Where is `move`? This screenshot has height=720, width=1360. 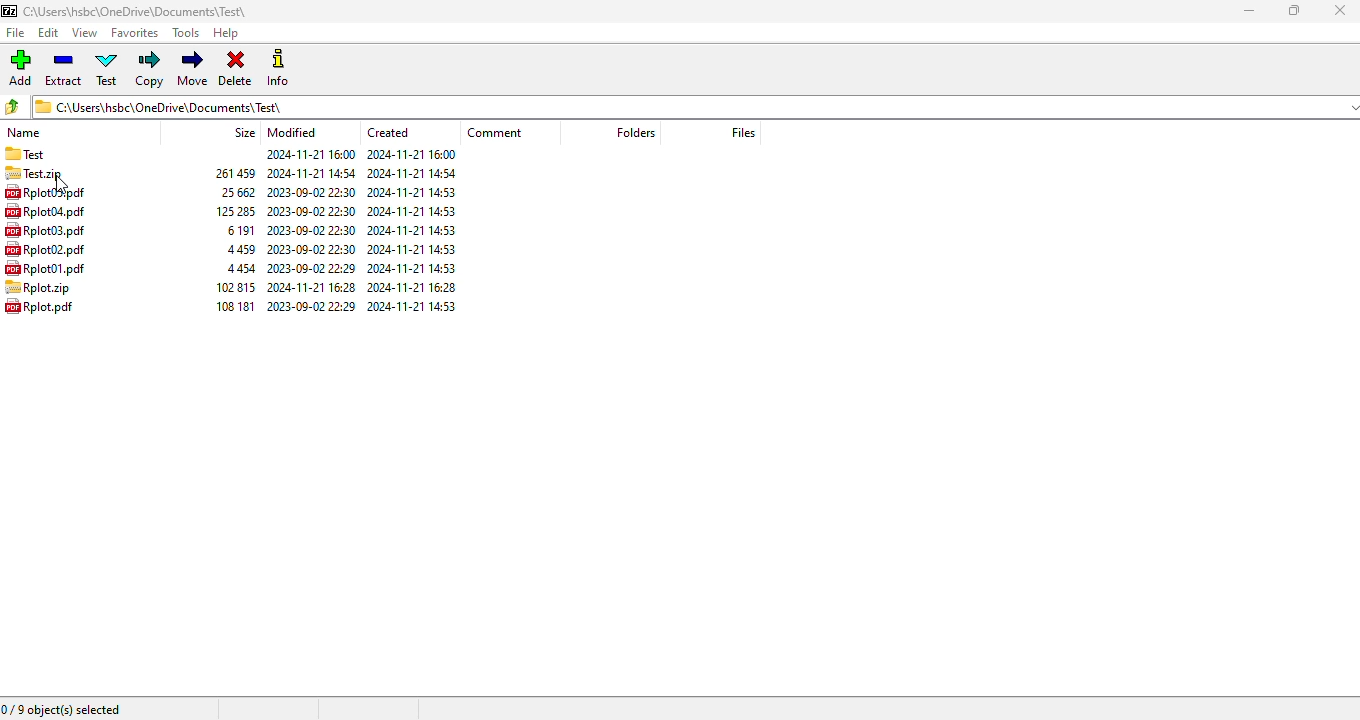 move is located at coordinates (194, 69).